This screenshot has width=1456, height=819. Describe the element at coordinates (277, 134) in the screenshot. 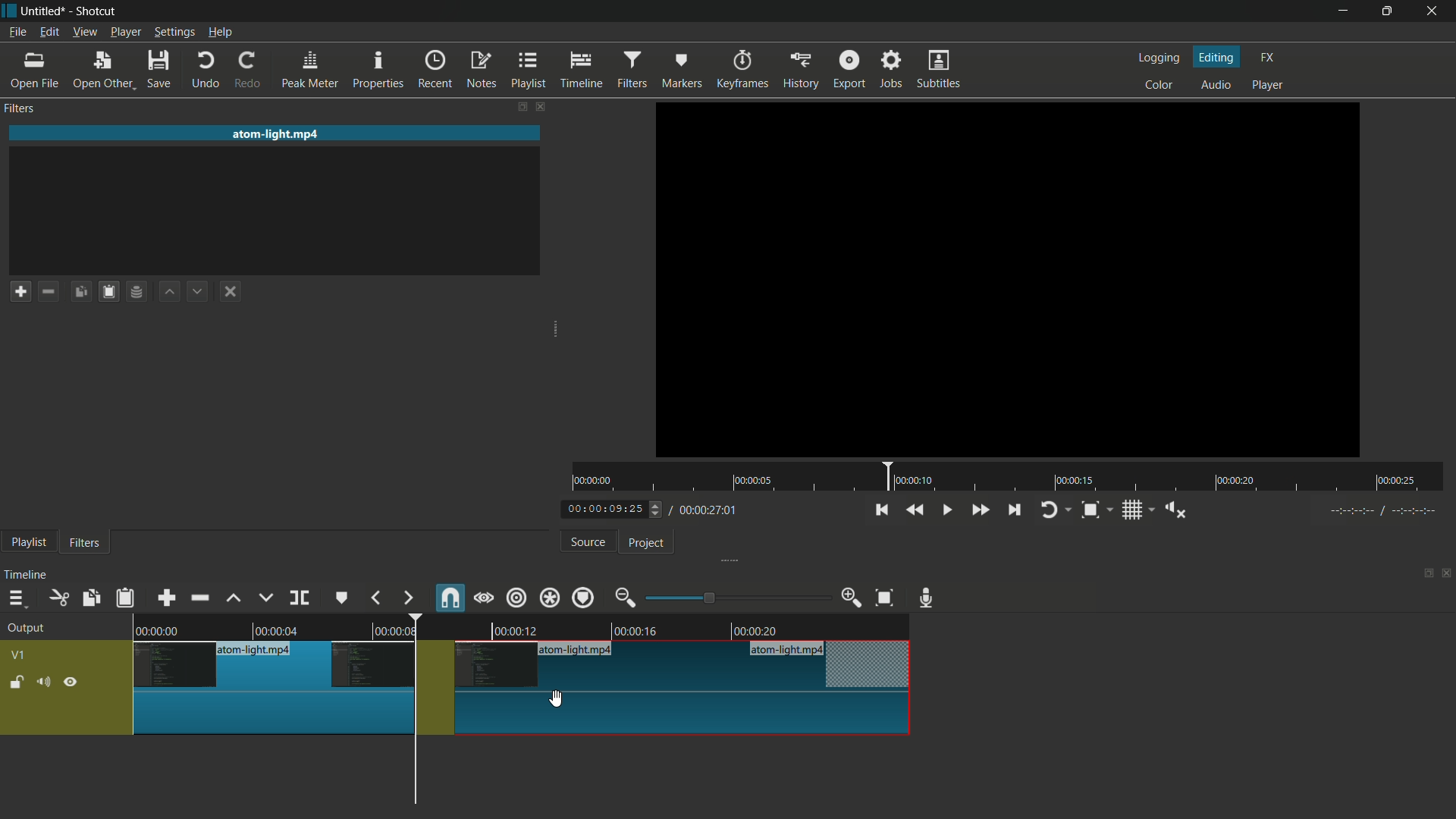

I see `` at that location.